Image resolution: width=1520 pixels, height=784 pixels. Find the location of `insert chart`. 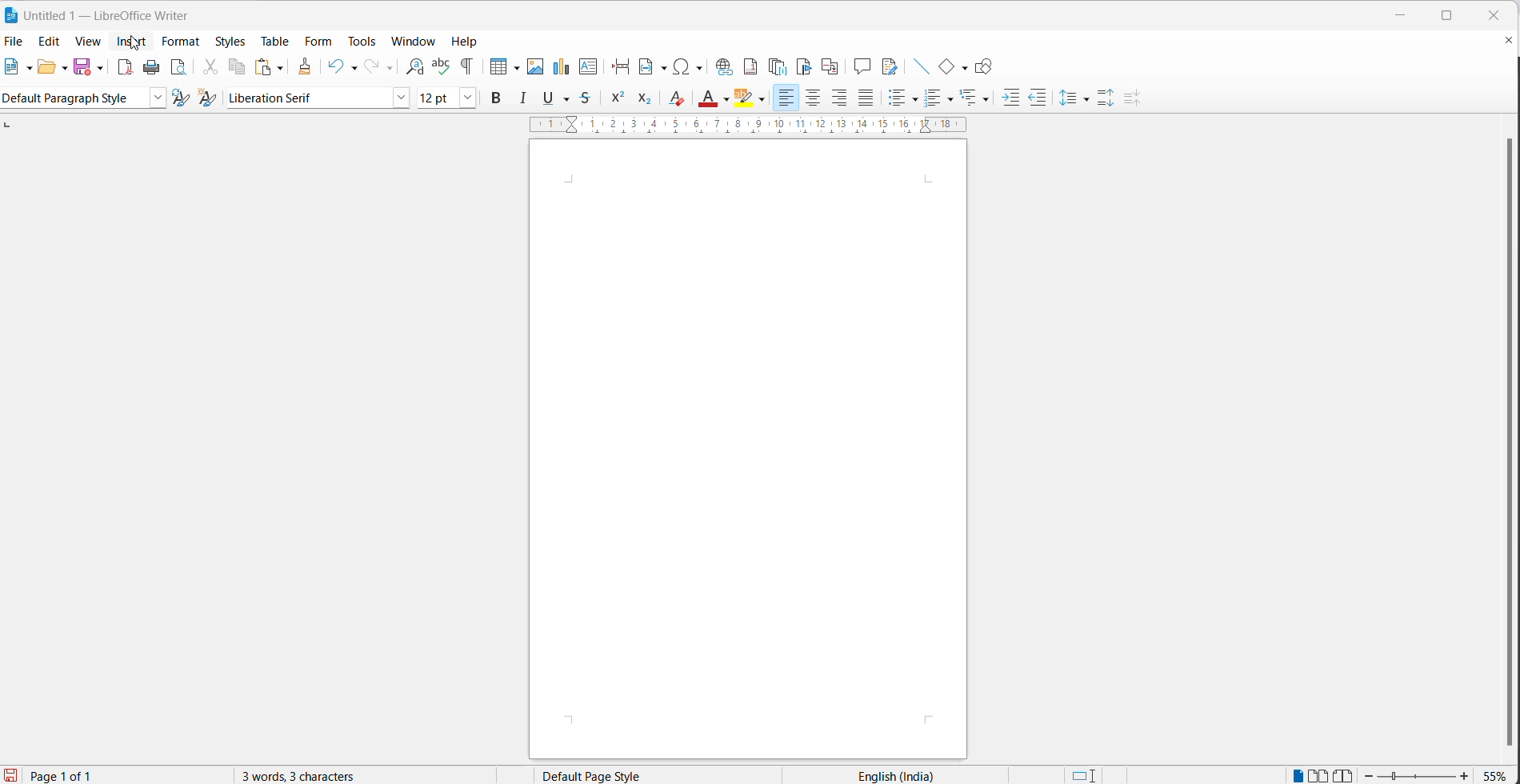

insert chart is located at coordinates (563, 67).